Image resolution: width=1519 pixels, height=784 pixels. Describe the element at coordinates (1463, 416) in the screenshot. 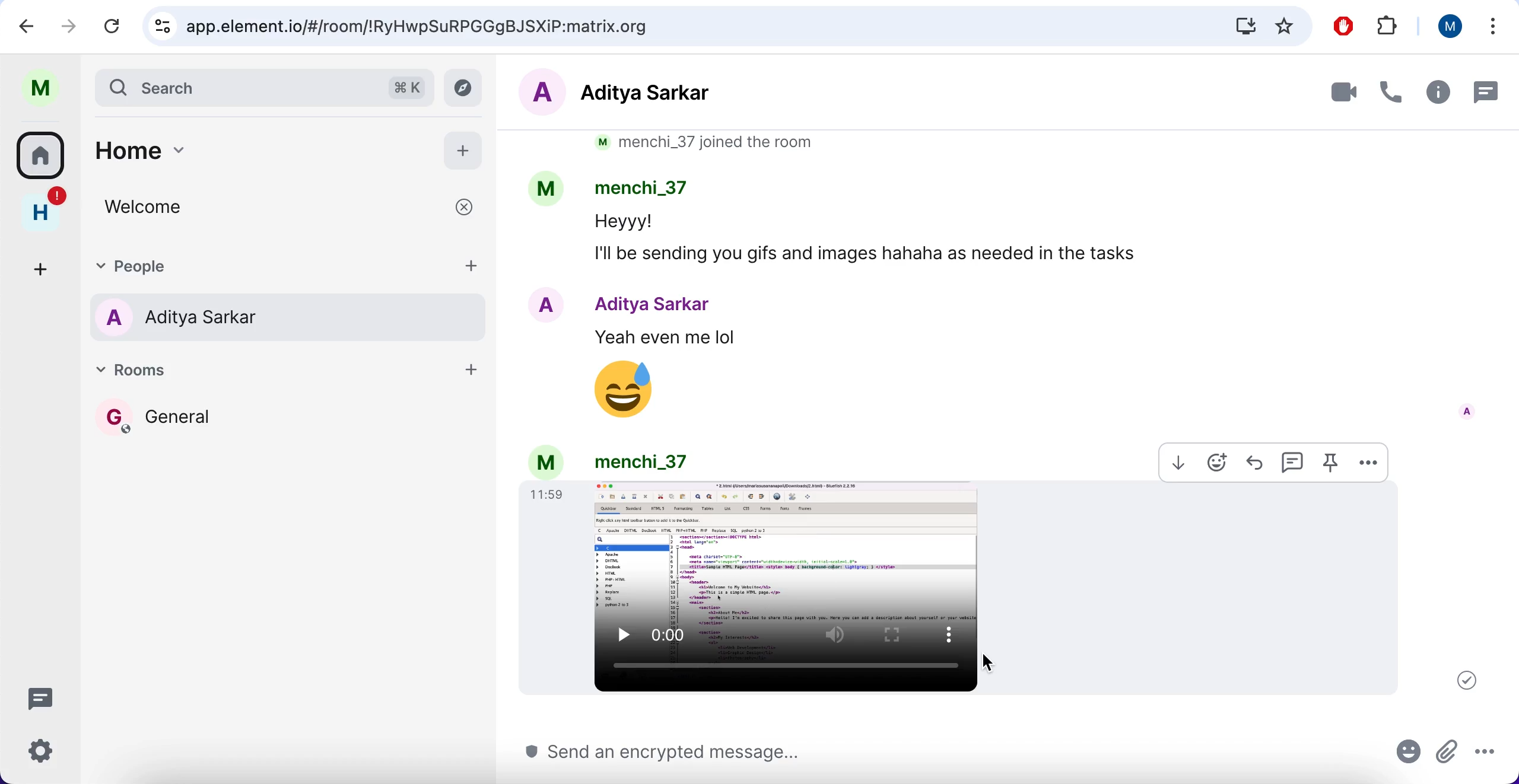

I see `A` at that location.